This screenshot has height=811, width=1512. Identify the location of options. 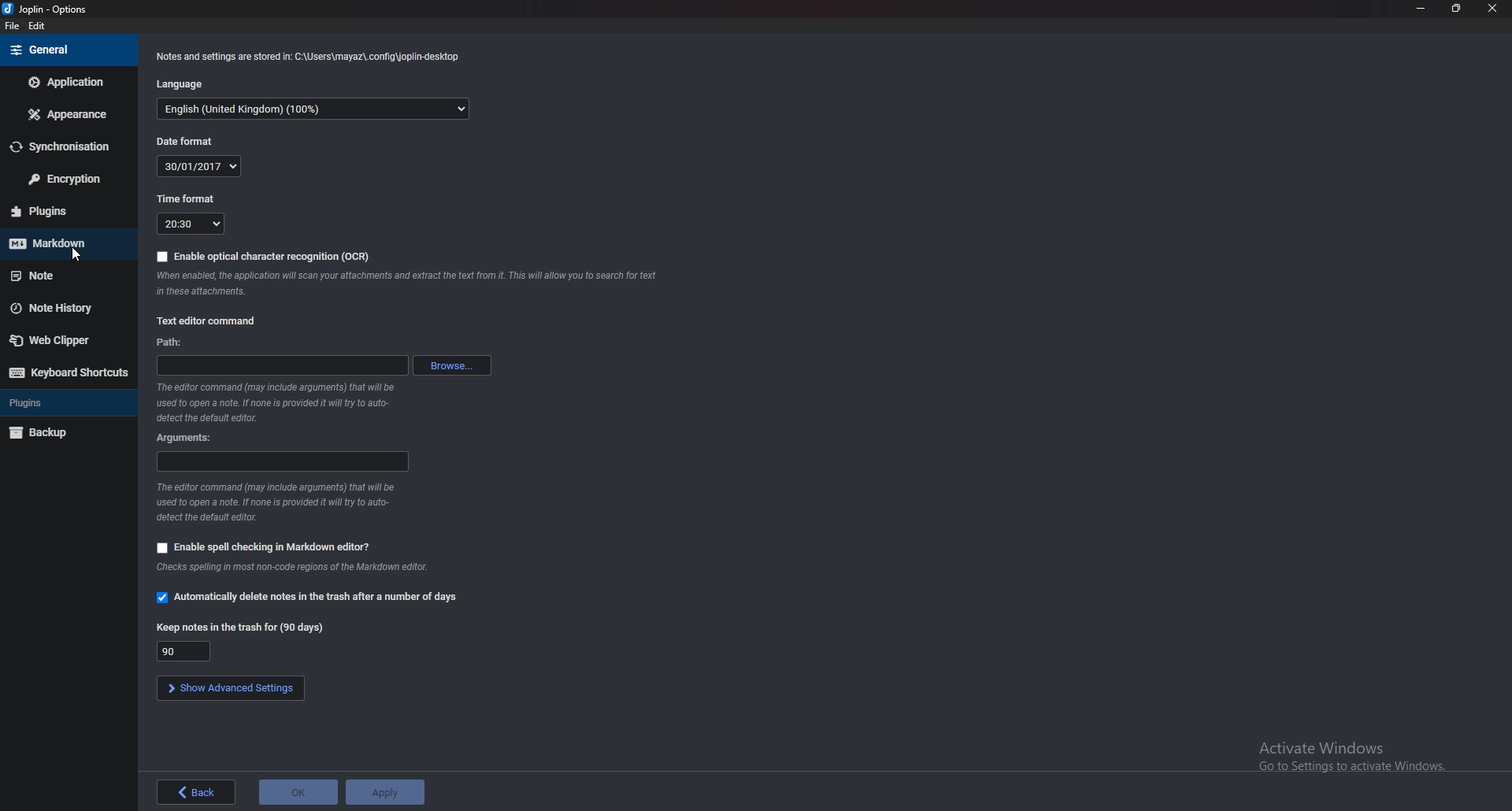
(50, 9).